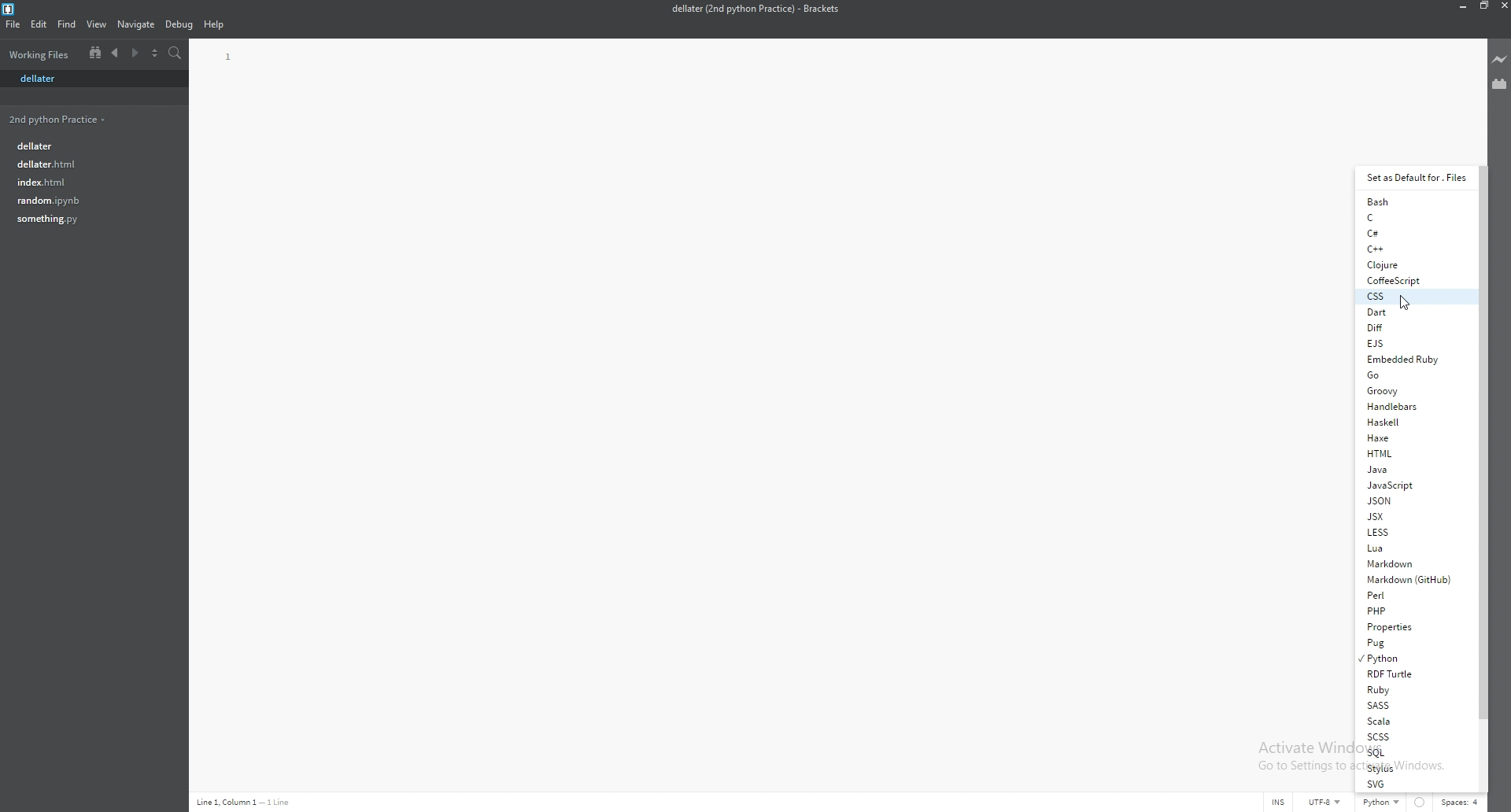 Image resolution: width=1511 pixels, height=812 pixels. I want to click on file, so click(91, 79).